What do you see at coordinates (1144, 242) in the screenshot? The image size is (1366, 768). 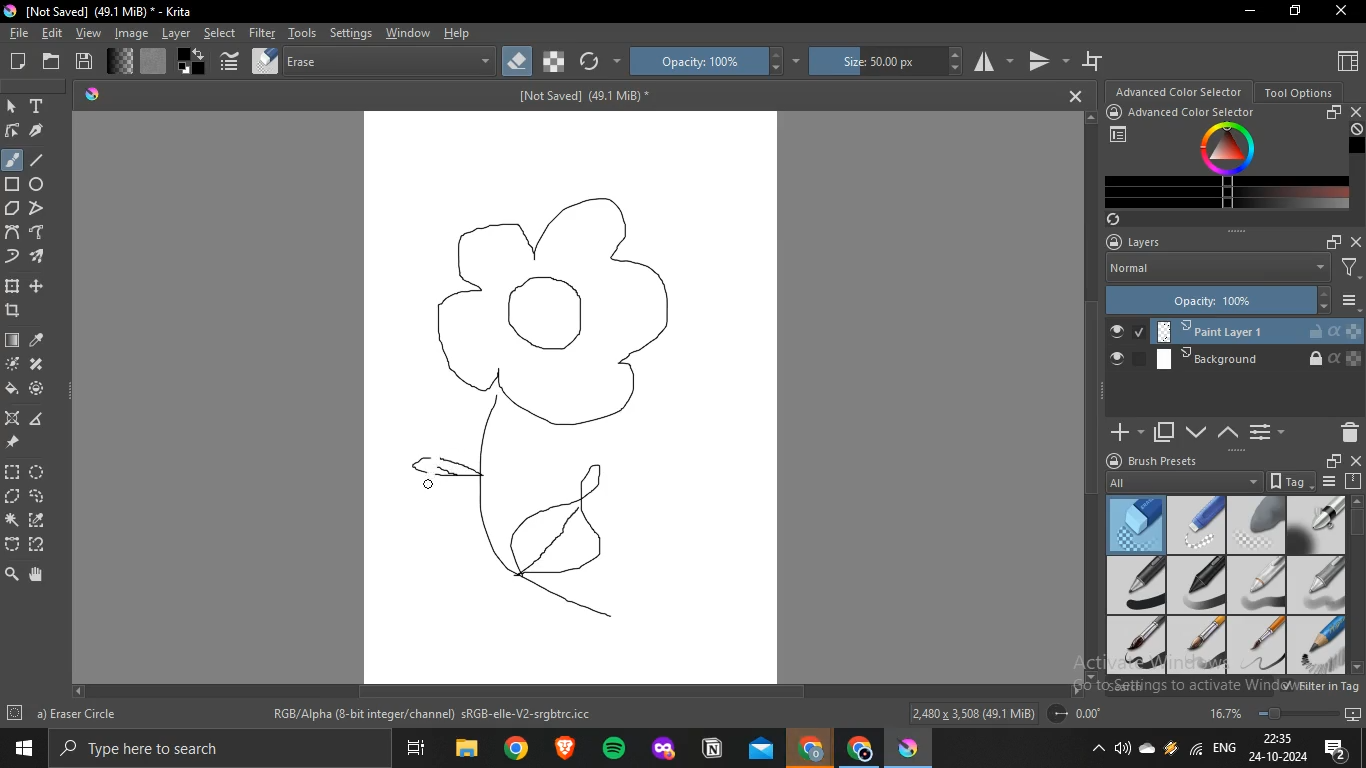 I see `layers` at bounding box center [1144, 242].